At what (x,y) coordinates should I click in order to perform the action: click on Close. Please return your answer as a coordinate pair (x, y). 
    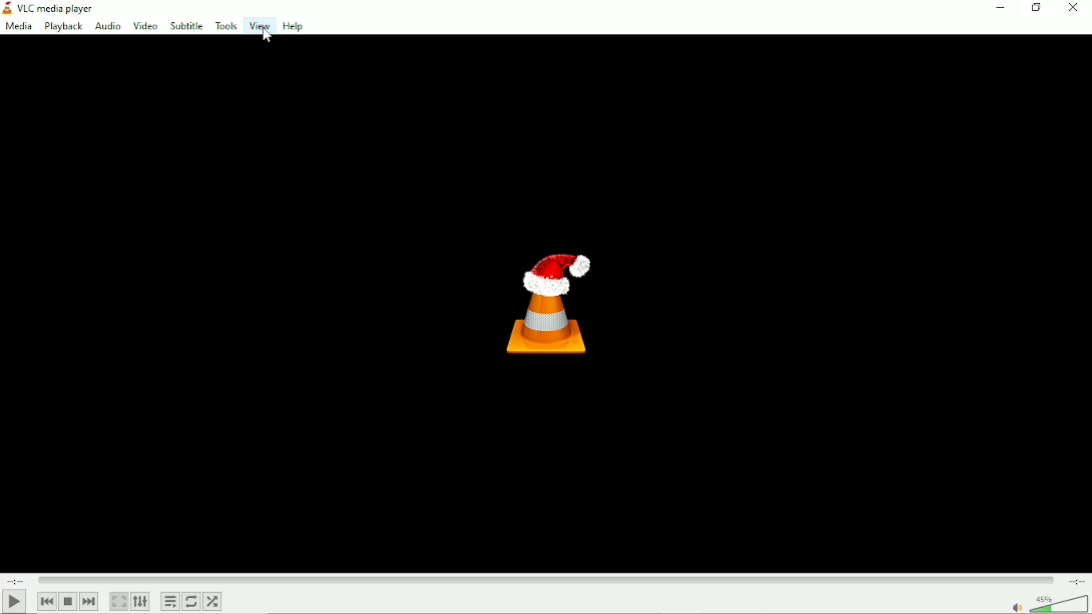
    Looking at the image, I should click on (1076, 10).